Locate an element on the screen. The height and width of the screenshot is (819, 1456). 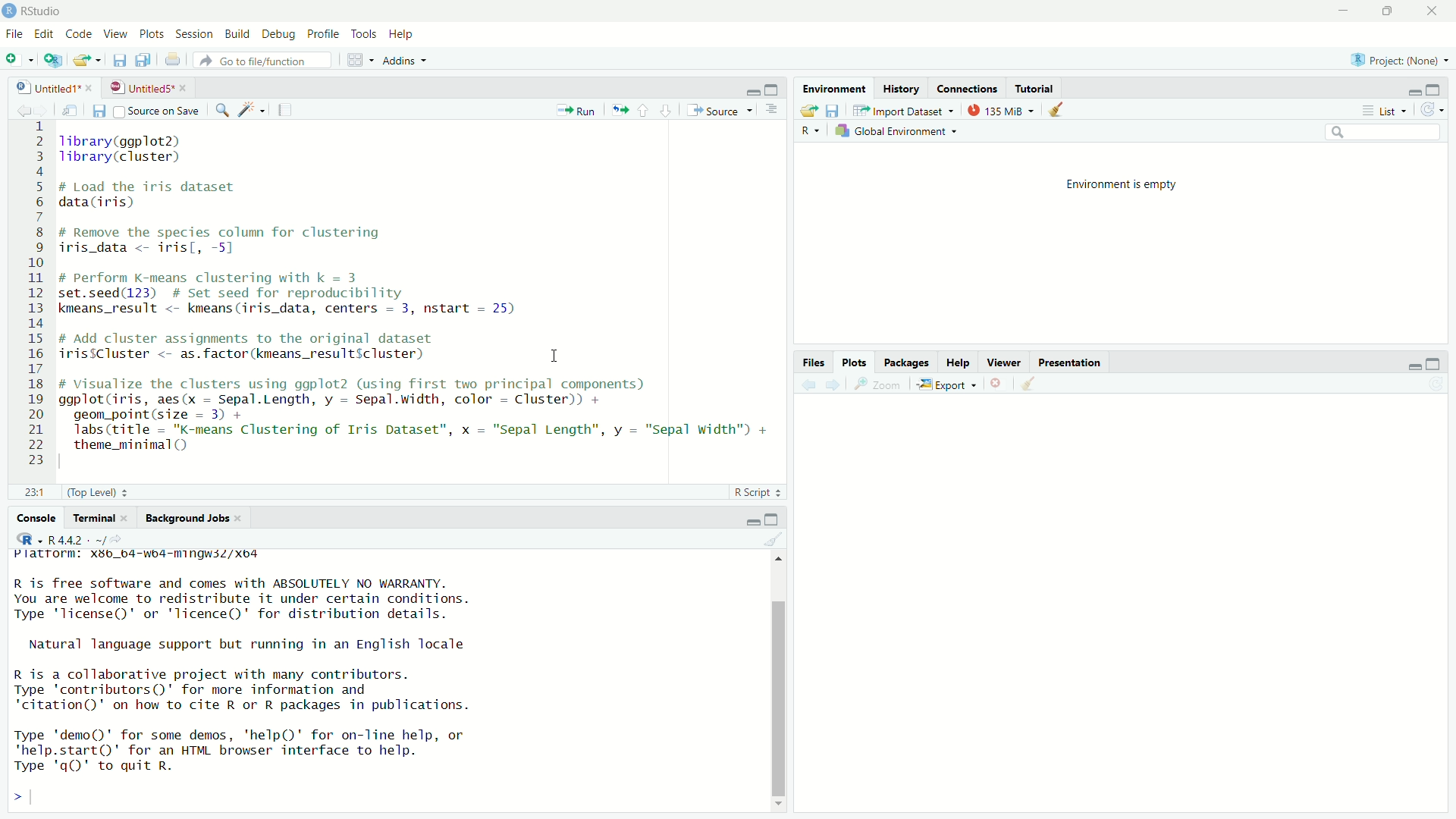
presentation is located at coordinates (1076, 362).